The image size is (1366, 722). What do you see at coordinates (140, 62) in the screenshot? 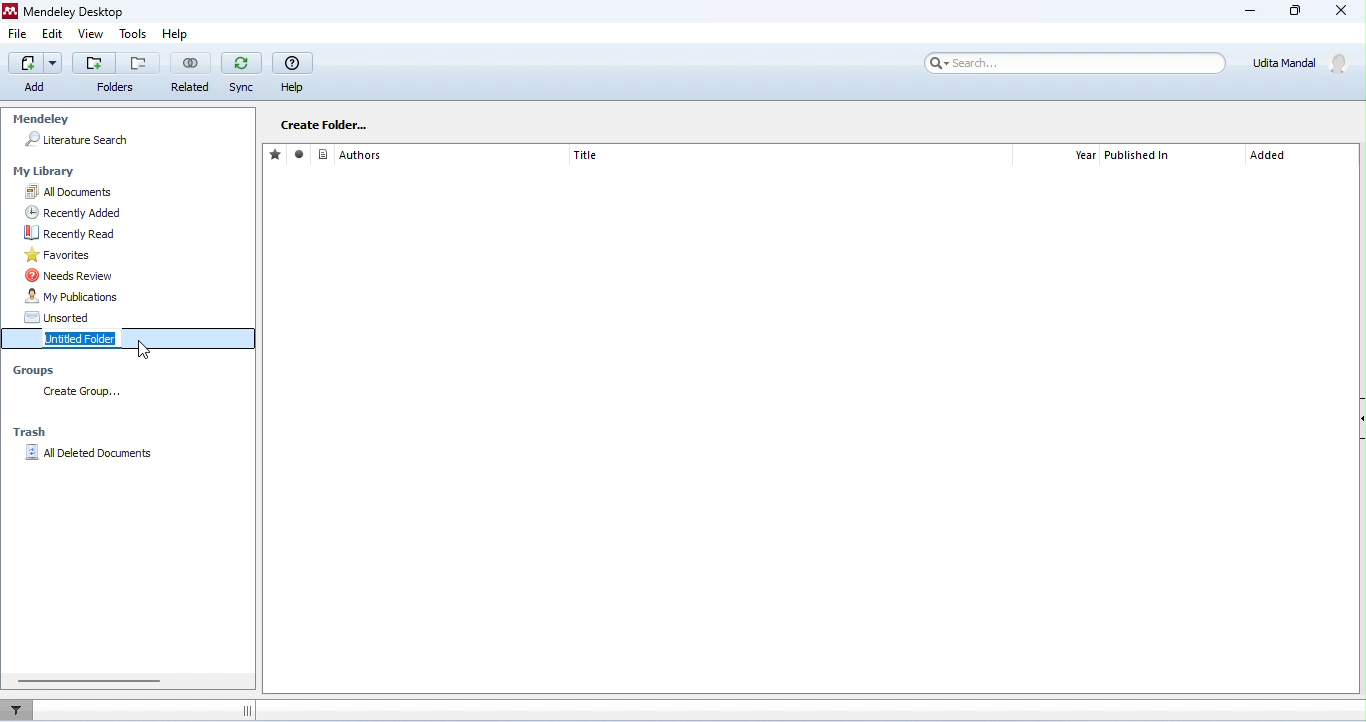
I see `remove` at bounding box center [140, 62].